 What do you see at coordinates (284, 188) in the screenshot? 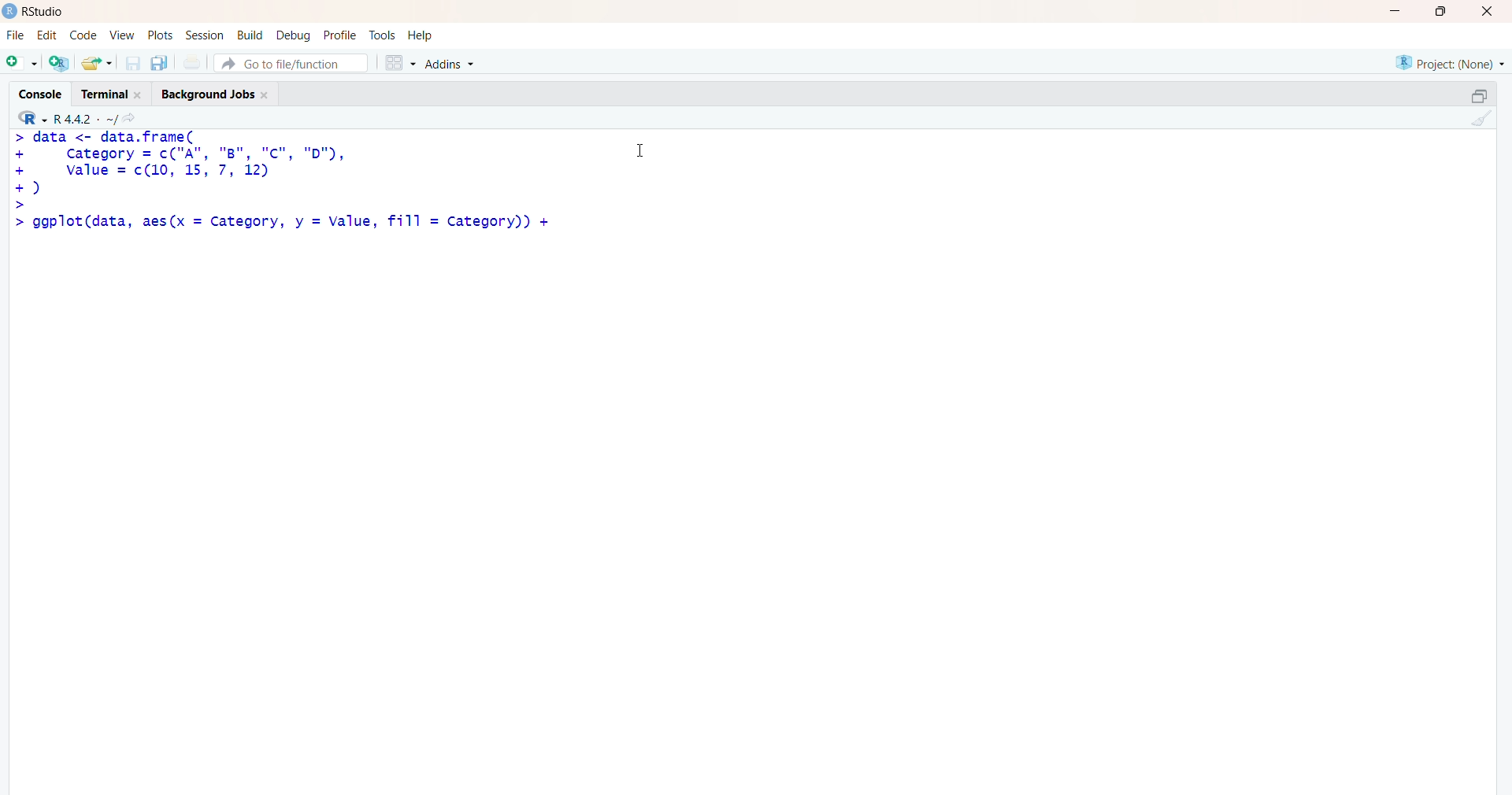
I see `code - > data <- data.frame(+ category = c("A", "B", "Cc", "D"),+ value = c(10 12)© asic>> ggplot(data, aes(x = Category, y = Value, fill = category))` at bounding box center [284, 188].